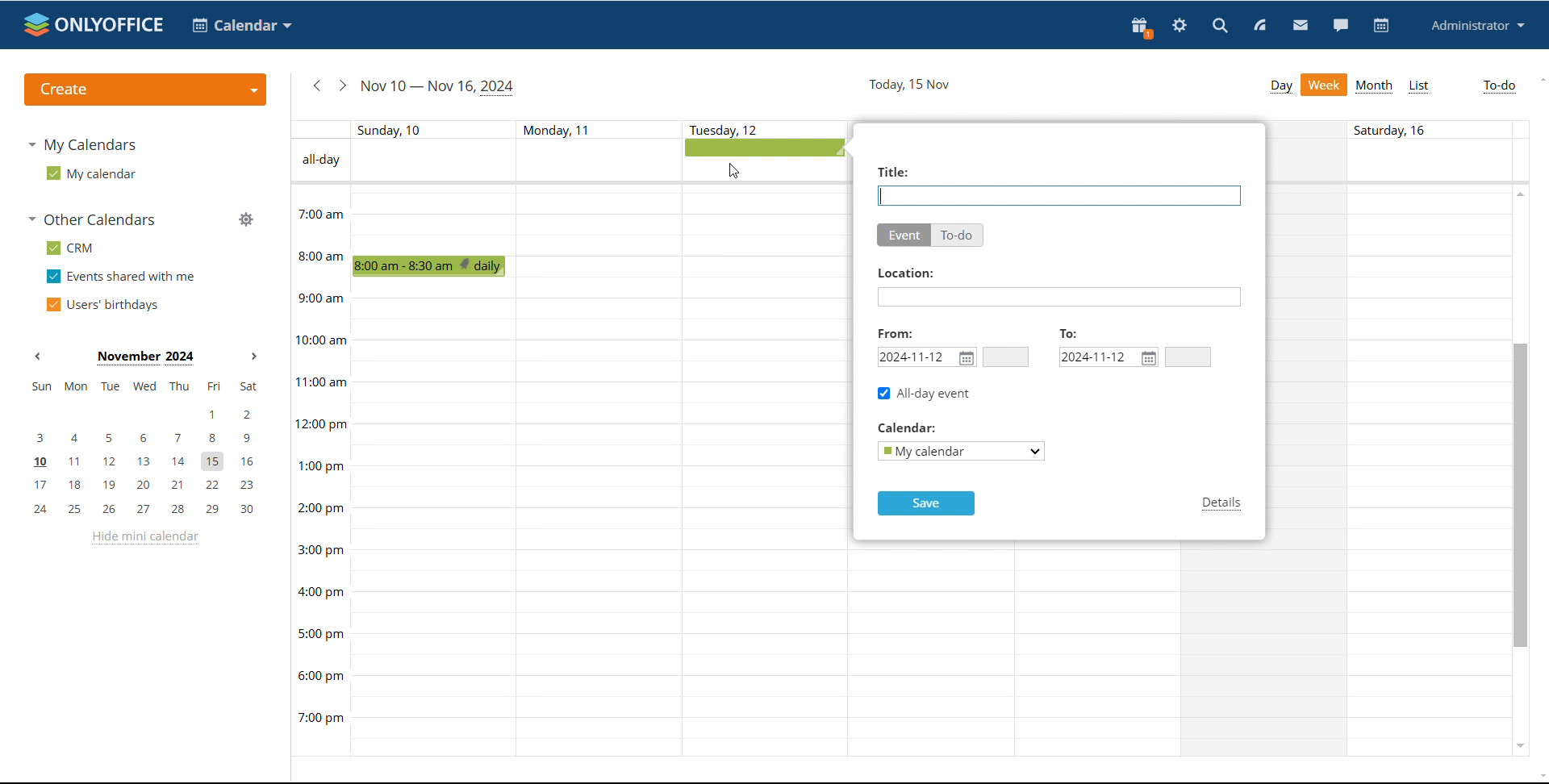 The image size is (1549, 784). I want to click on to-do, so click(958, 235).